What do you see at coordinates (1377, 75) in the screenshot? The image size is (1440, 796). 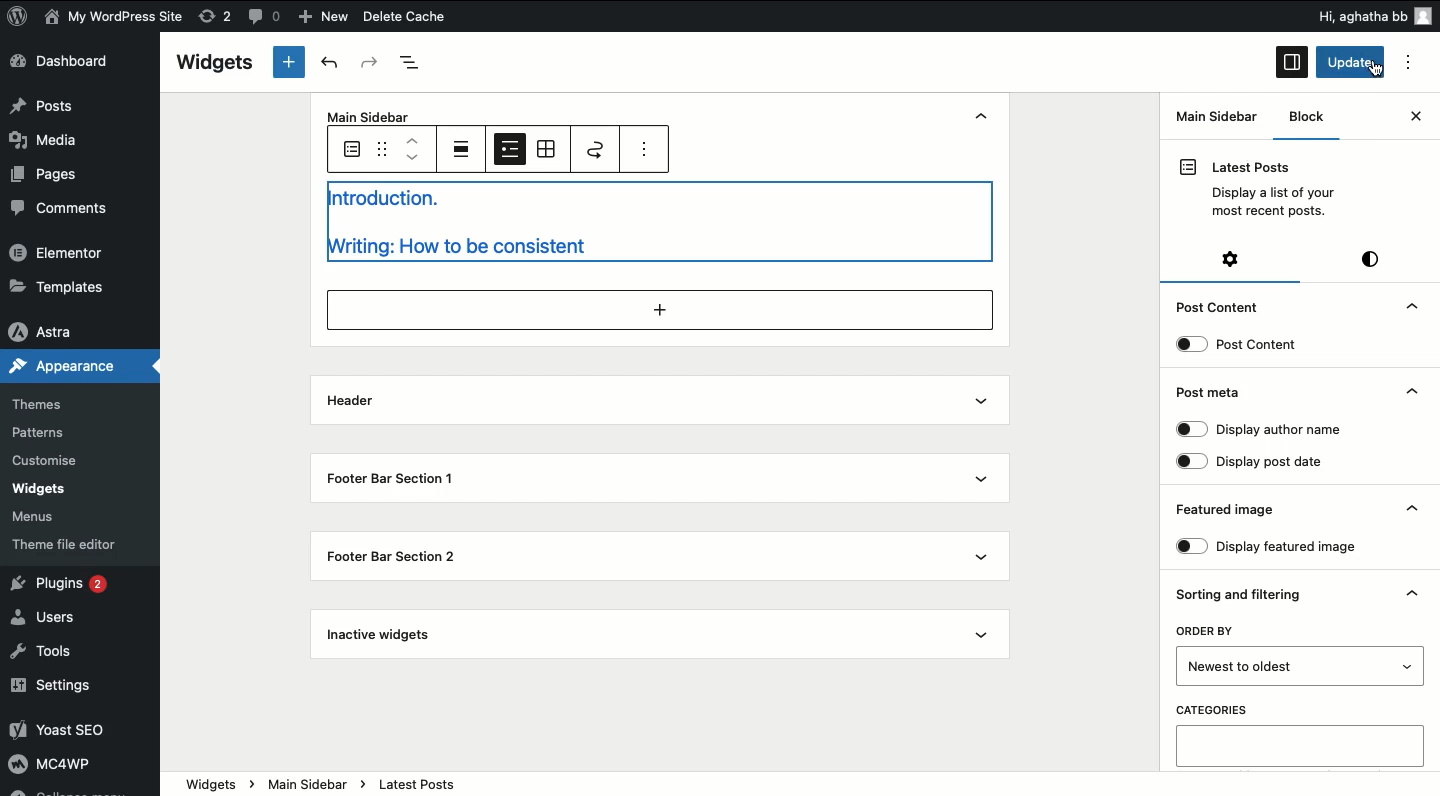 I see `cursor` at bounding box center [1377, 75].